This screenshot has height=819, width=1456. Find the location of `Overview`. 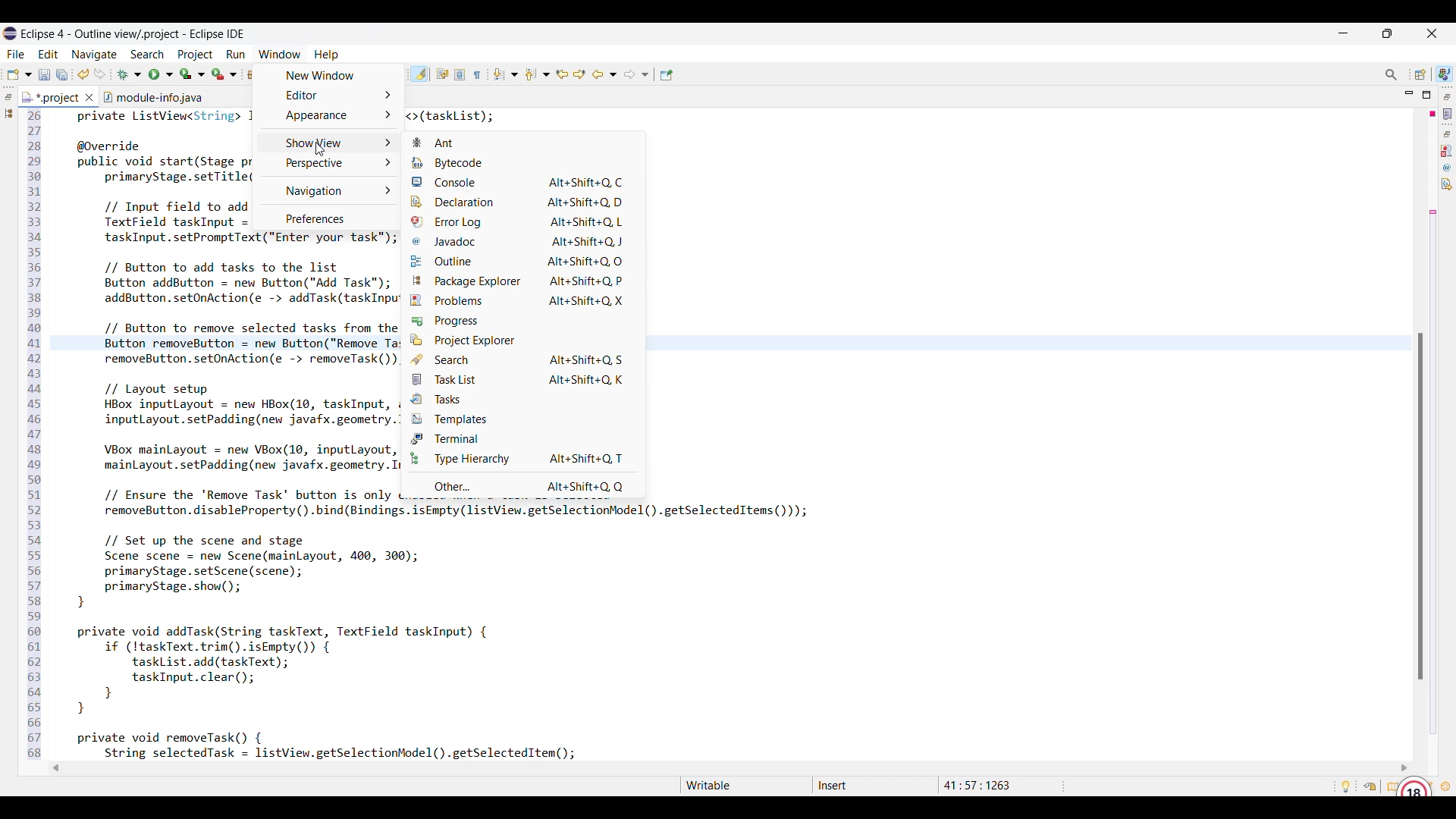

Overview is located at coordinates (1389, 786).